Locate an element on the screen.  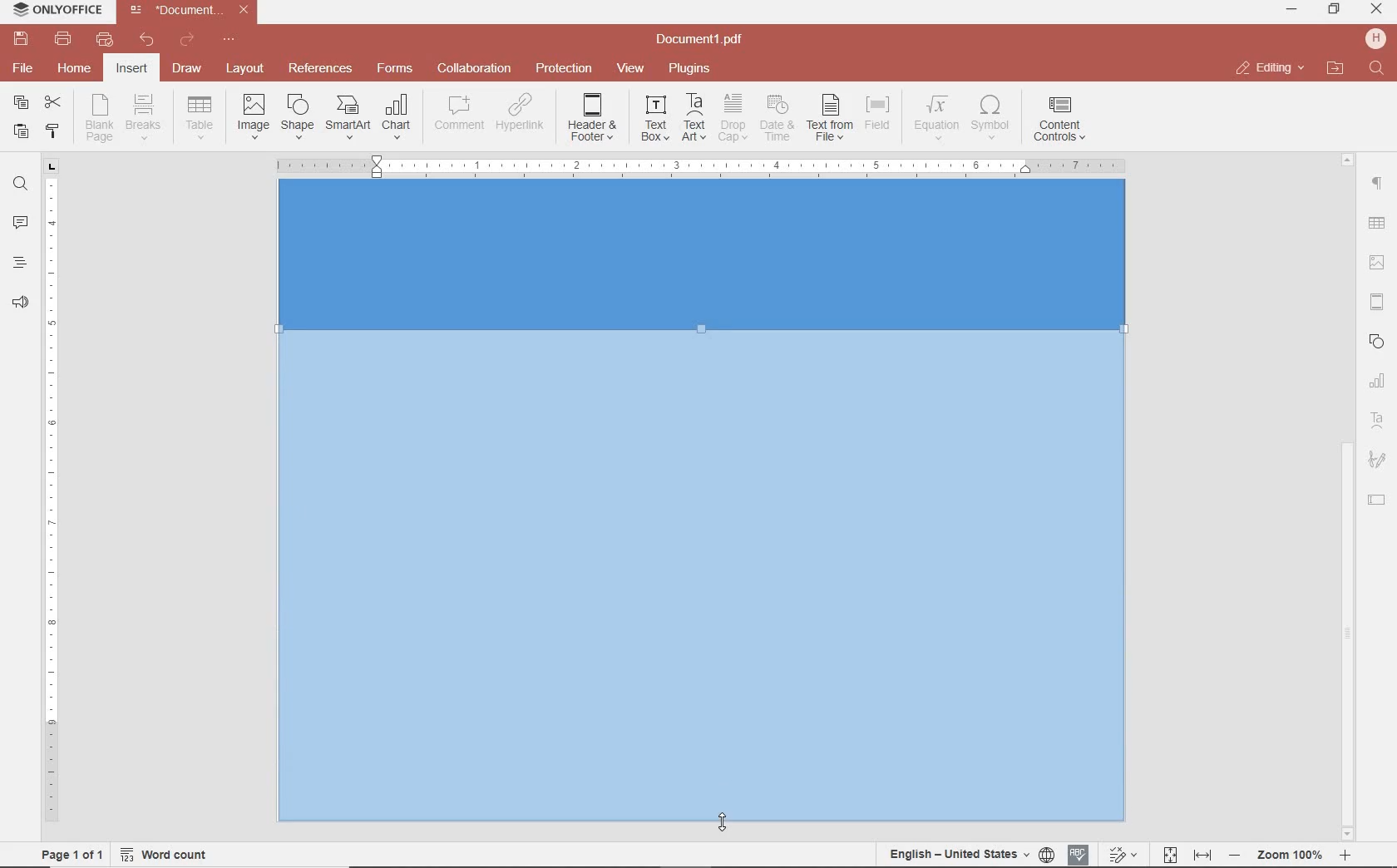
fit to page and width is located at coordinates (1184, 856).